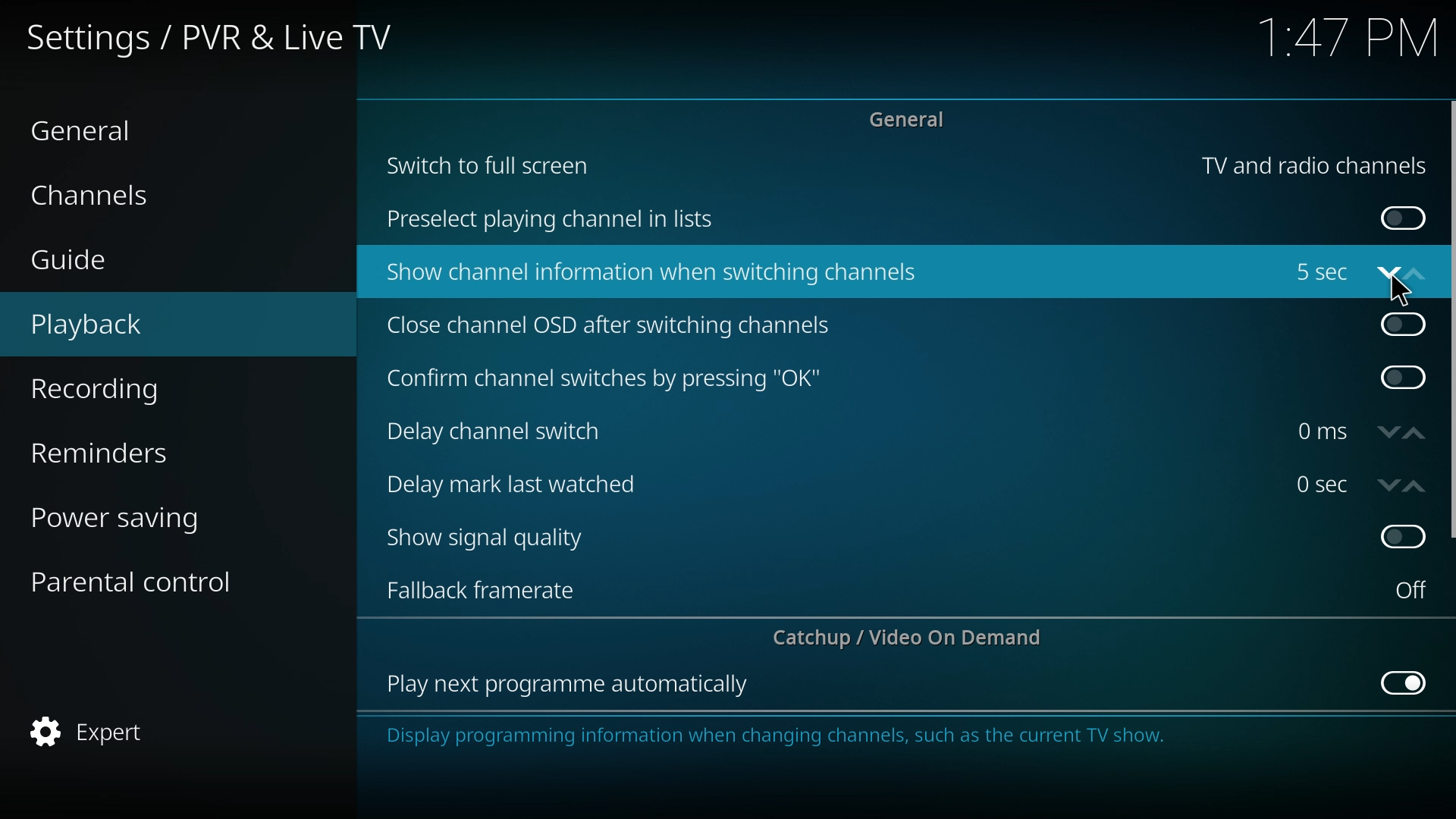 The image size is (1456, 819). I want to click on recording, so click(137, 390).